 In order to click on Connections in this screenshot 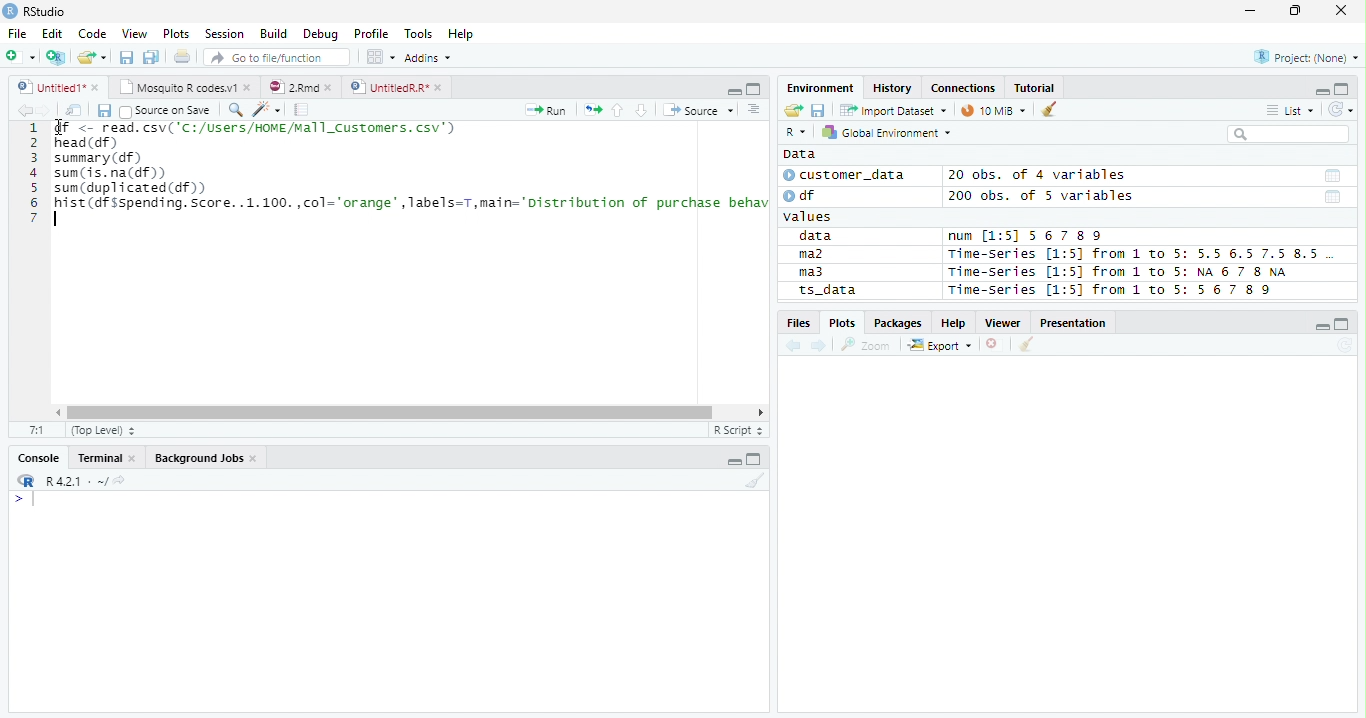, I will do `click(963, 88)`.